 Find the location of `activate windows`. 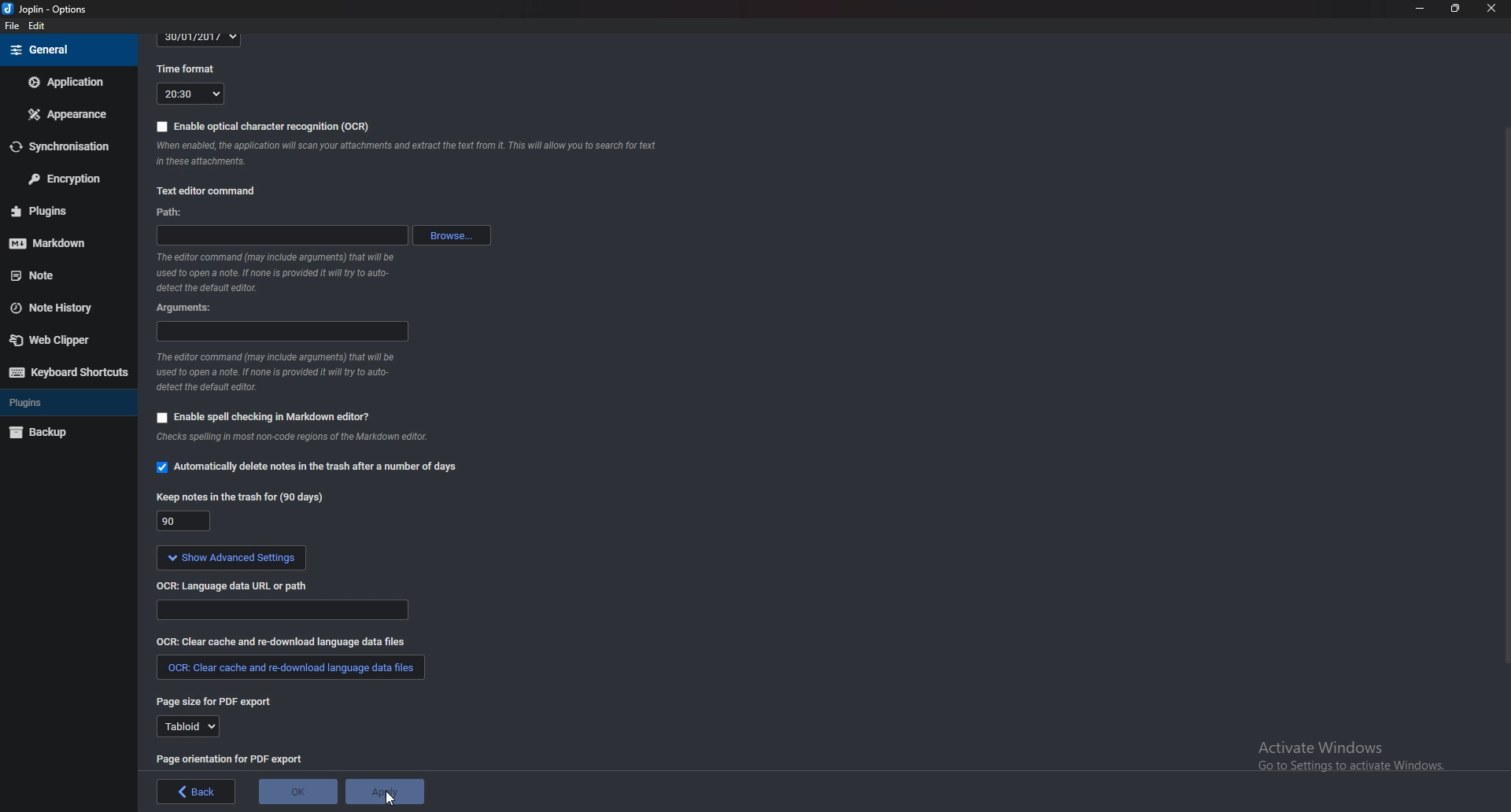

activate windows is located at coordinates (1350, 764).